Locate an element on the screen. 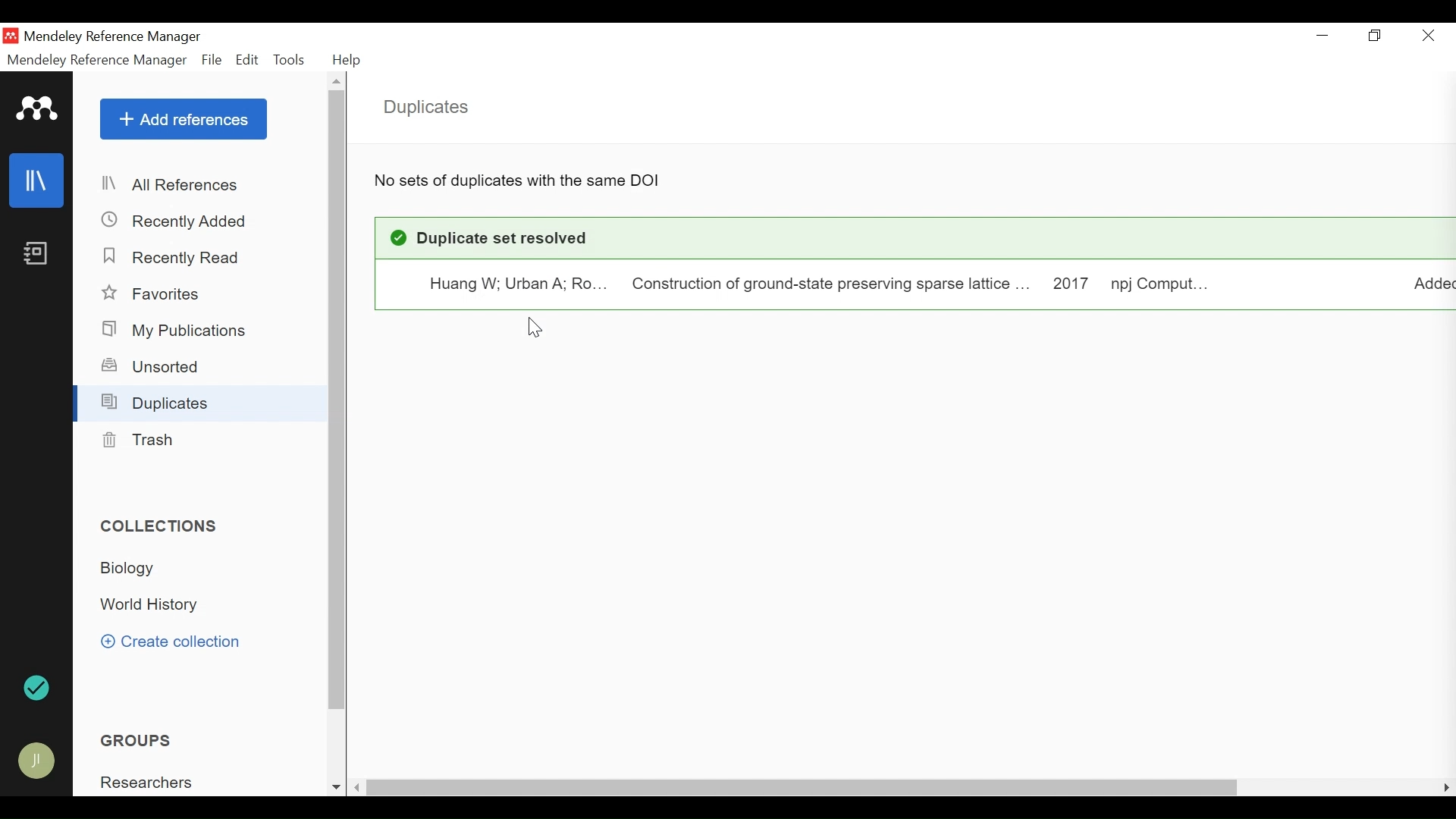  Edit is located at coordinates (249, 60).